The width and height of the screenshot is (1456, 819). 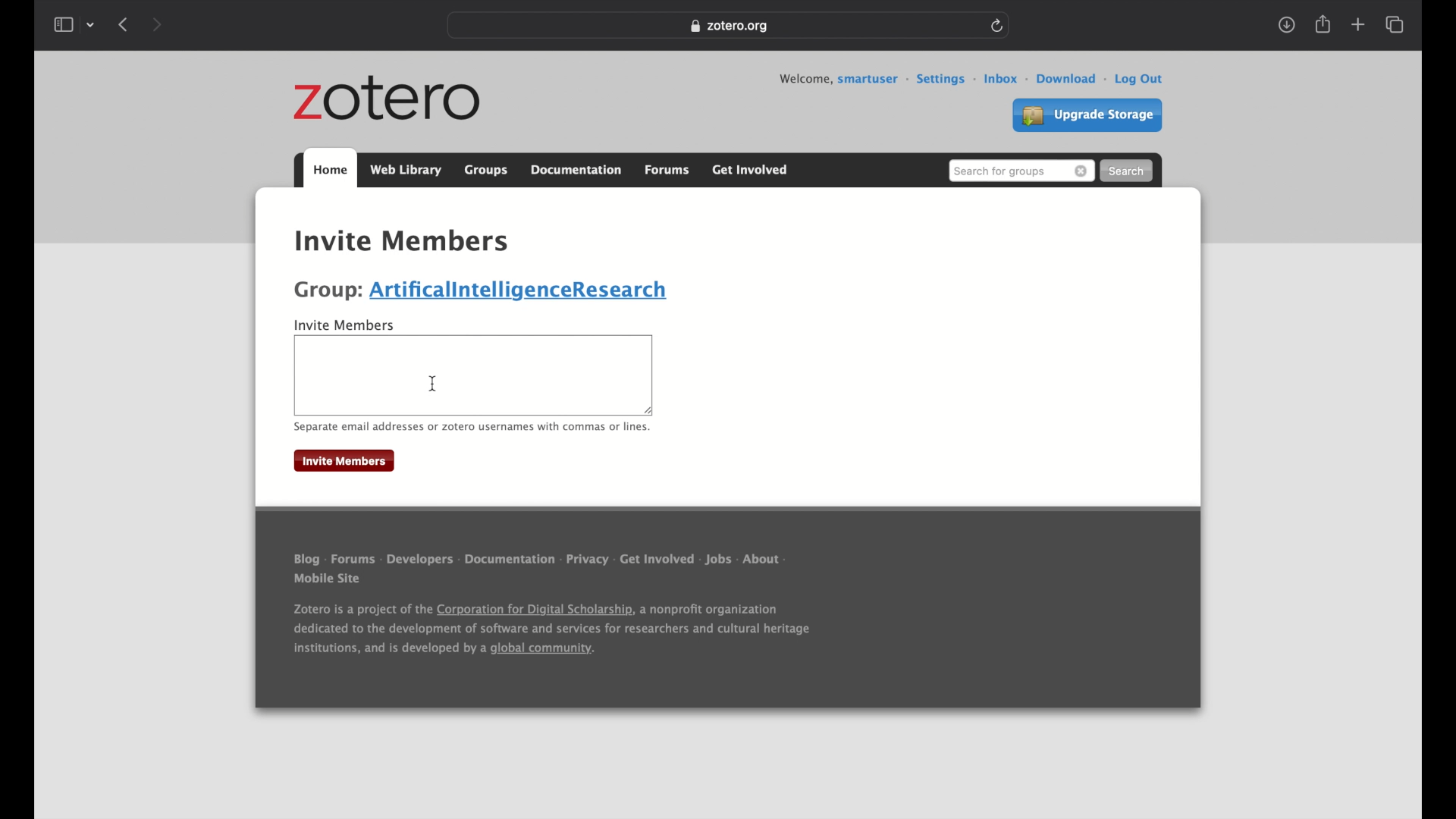 I want to click on home, so click(x=315, y=212).